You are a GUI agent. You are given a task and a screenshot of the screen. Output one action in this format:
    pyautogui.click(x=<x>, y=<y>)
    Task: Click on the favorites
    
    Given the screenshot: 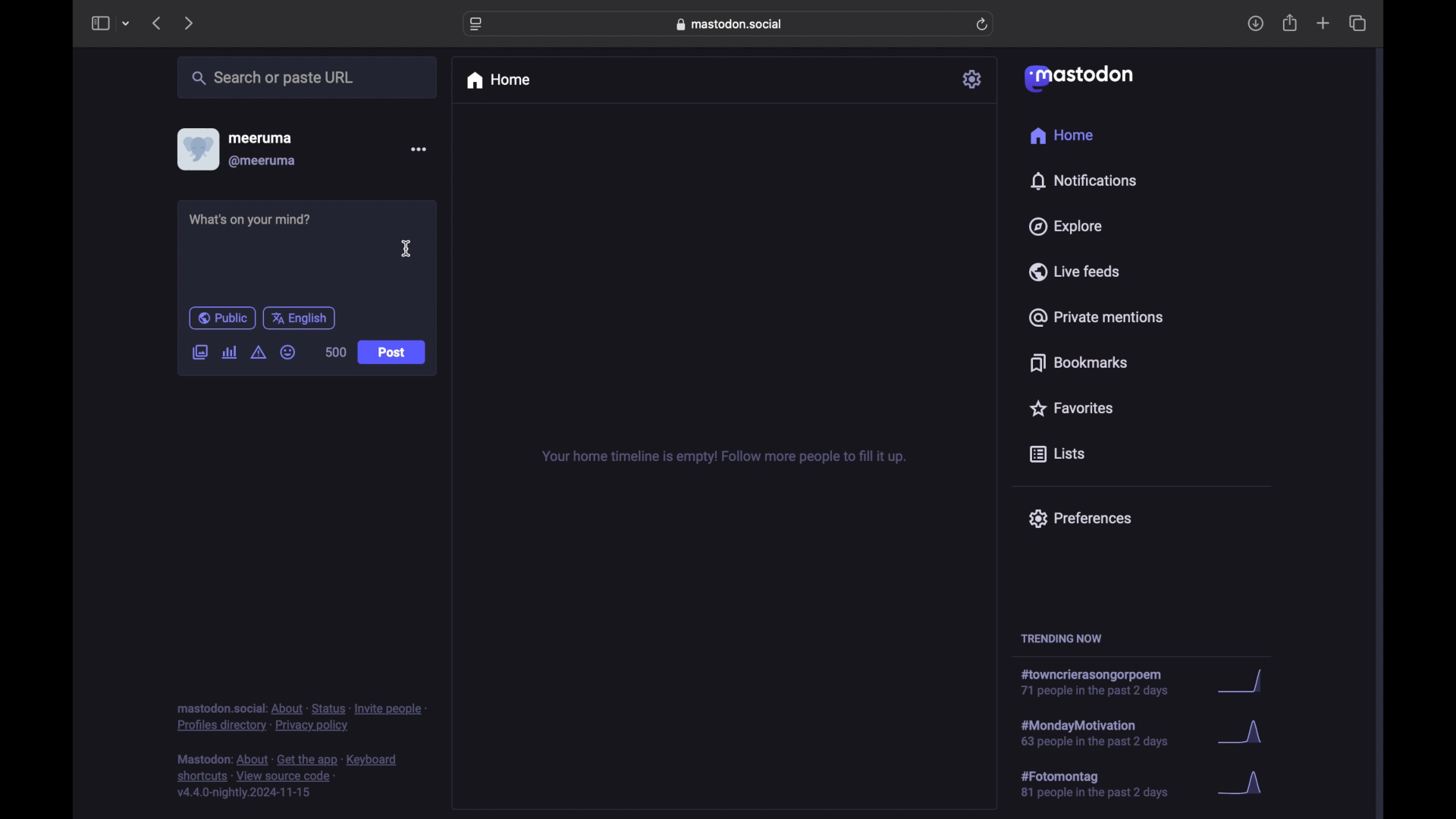 What is the action you would take?
    pyautogui.click(x=1071, y=408)
    